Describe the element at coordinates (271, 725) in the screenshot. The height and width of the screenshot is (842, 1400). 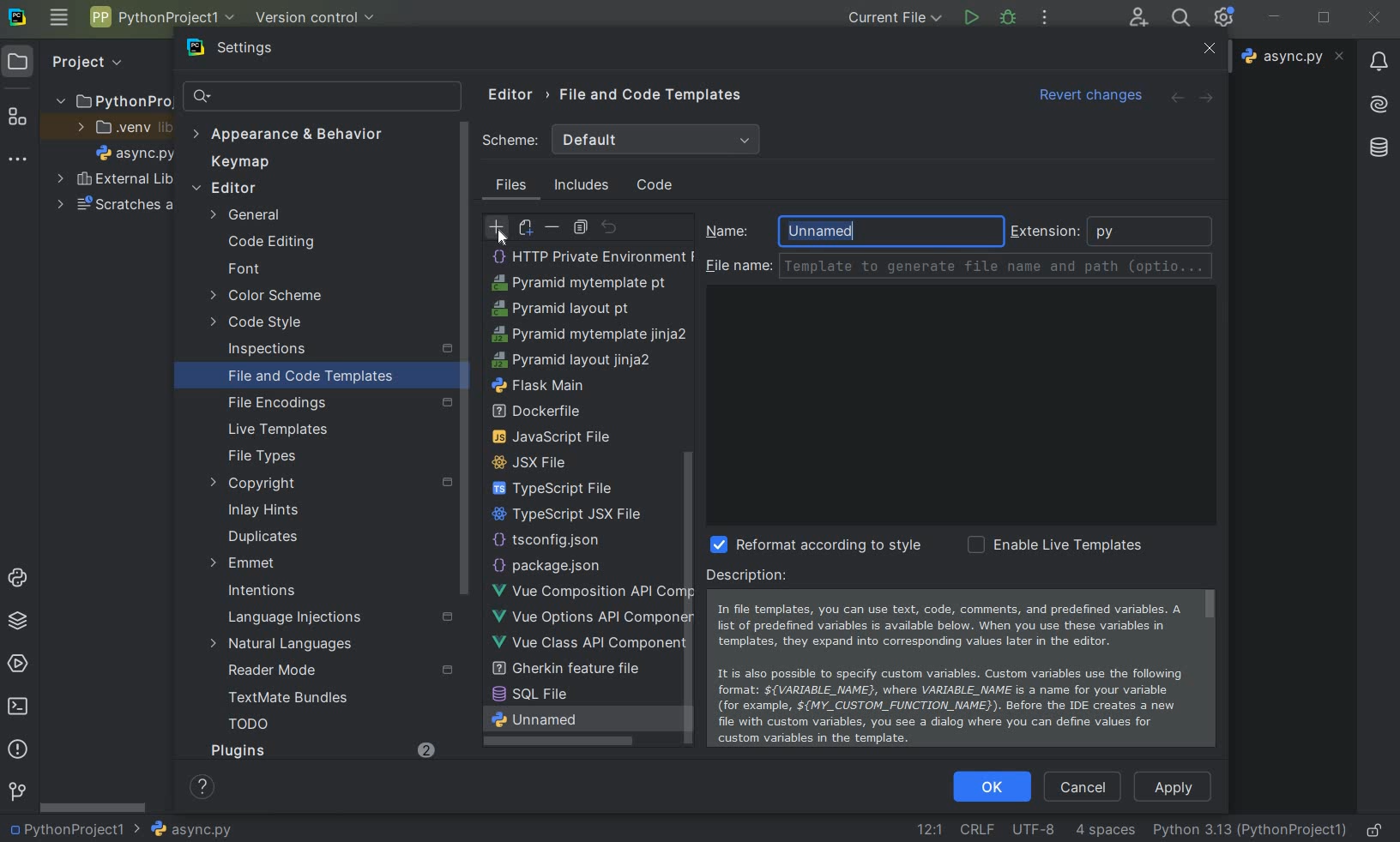
I see `TODO` at that location.